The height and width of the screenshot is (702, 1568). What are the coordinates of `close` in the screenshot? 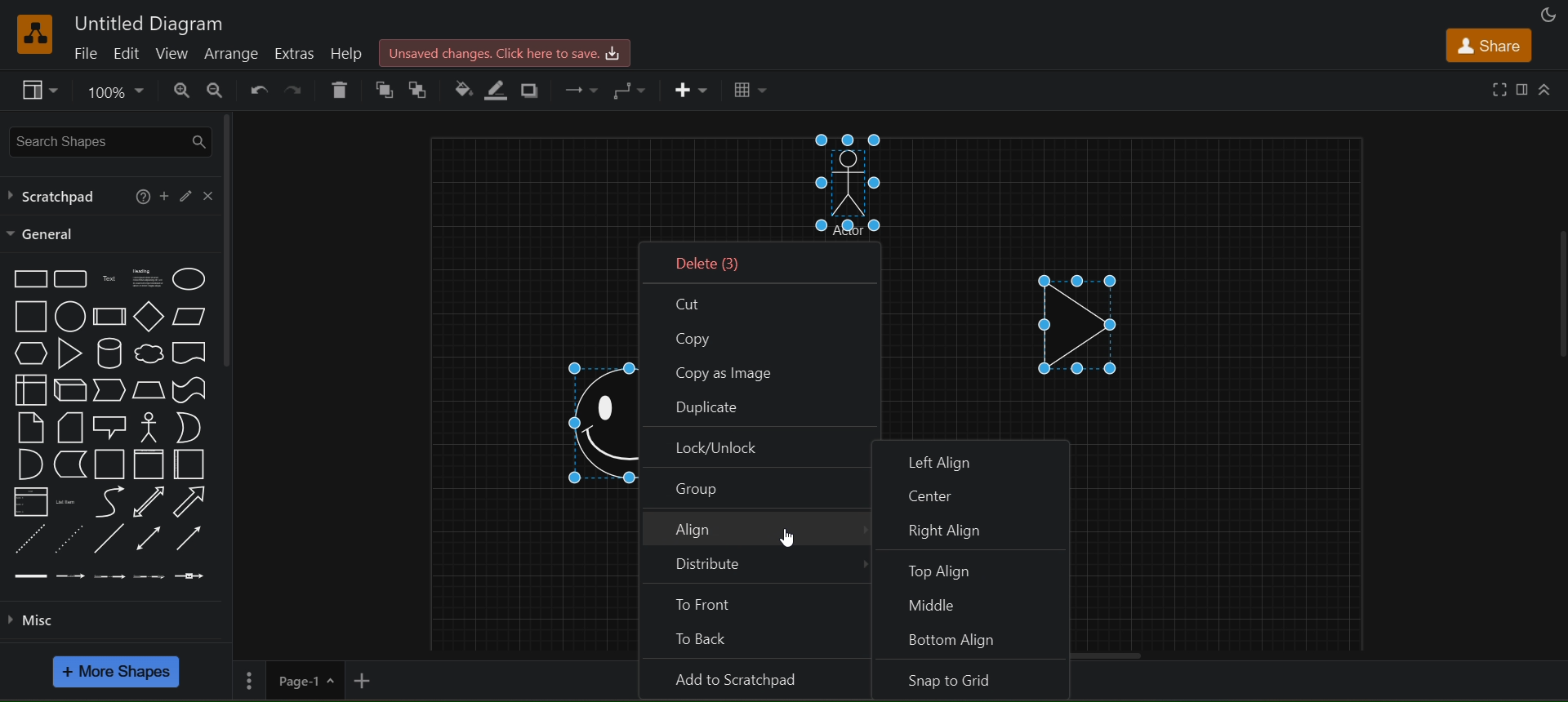 It's located at (208, 194).